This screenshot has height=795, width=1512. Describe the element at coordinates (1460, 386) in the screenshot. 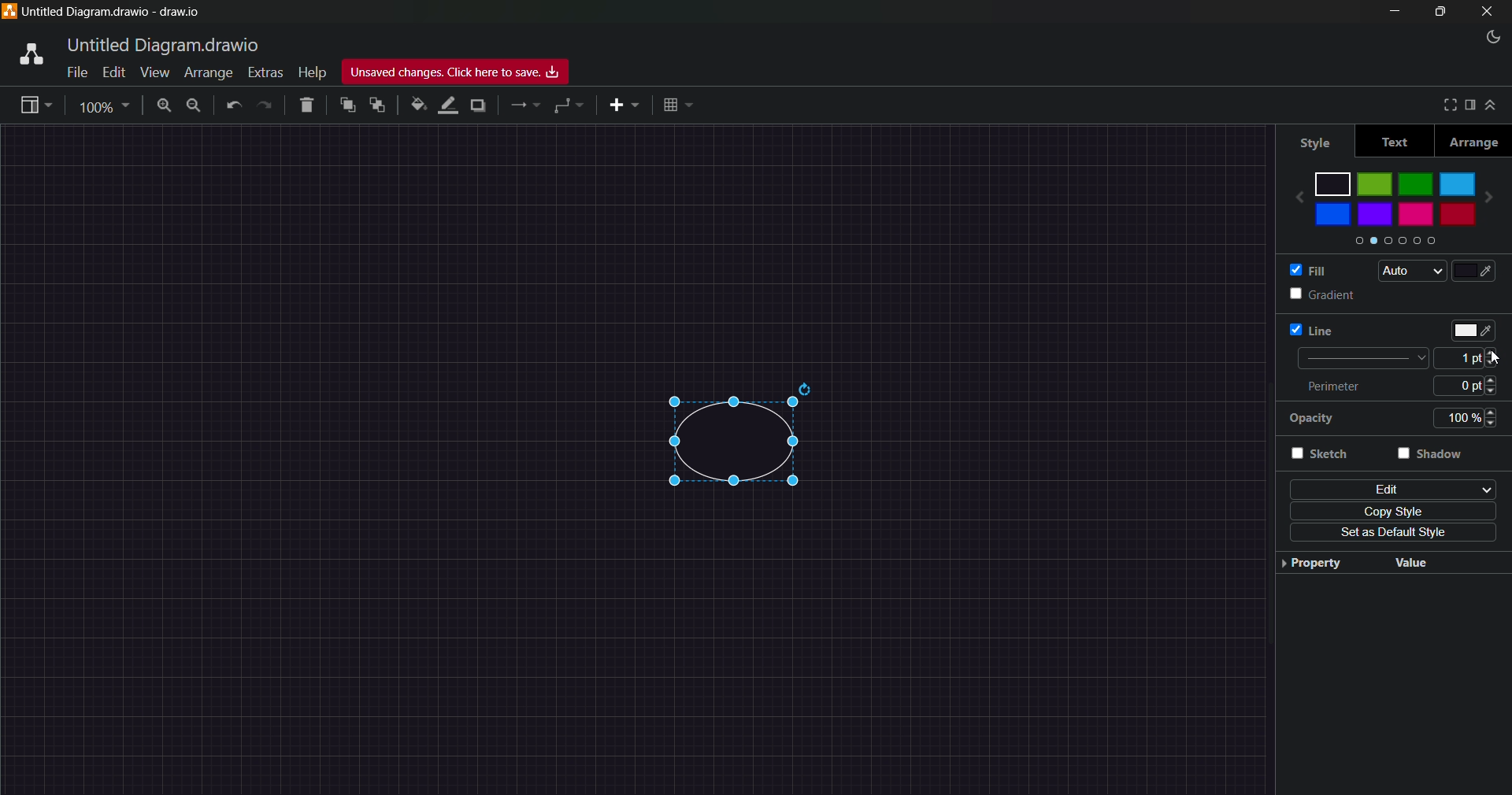

I see `current perimeter 0 pt` at that location.